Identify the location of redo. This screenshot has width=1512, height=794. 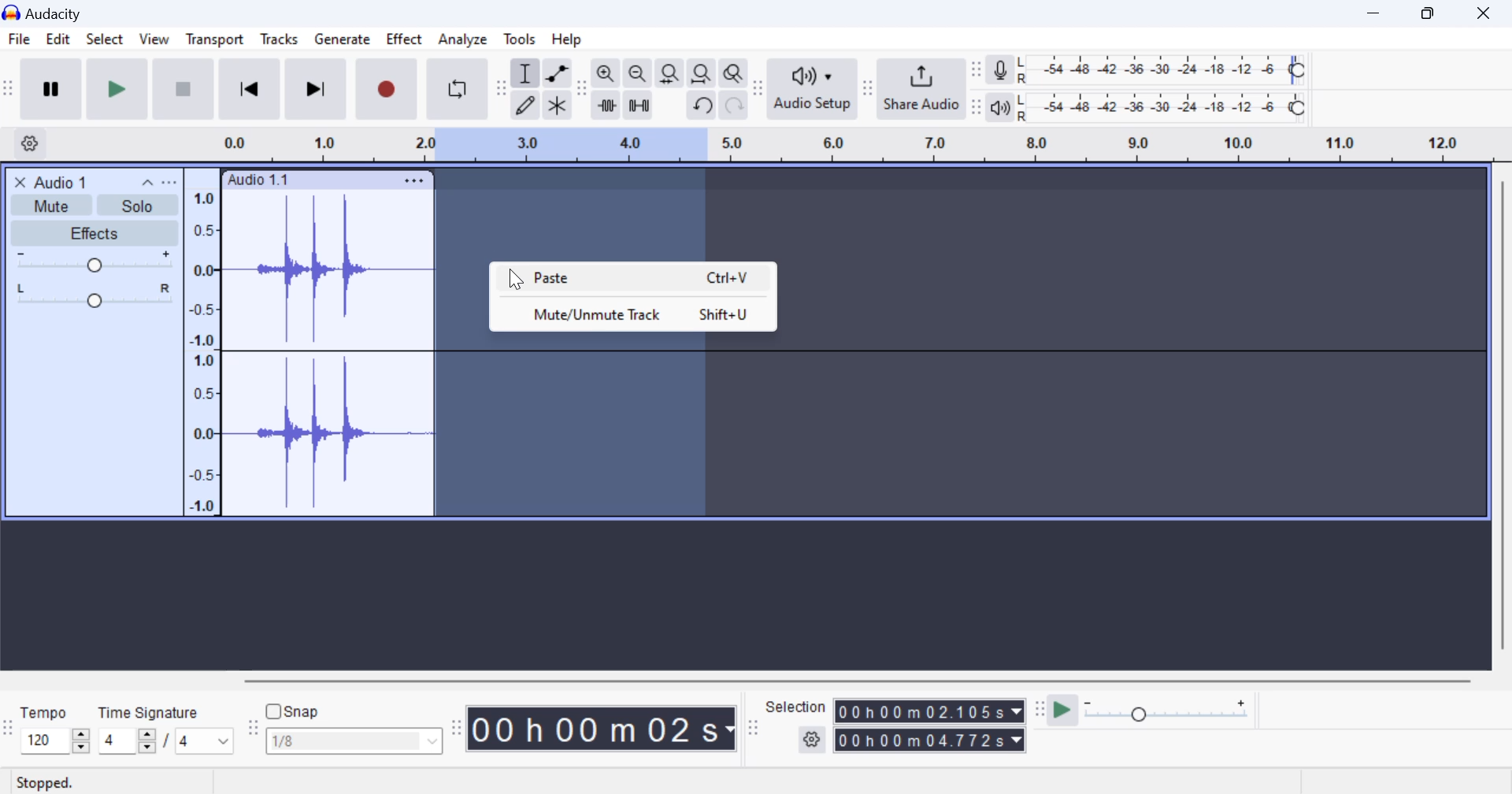
(734, 106).